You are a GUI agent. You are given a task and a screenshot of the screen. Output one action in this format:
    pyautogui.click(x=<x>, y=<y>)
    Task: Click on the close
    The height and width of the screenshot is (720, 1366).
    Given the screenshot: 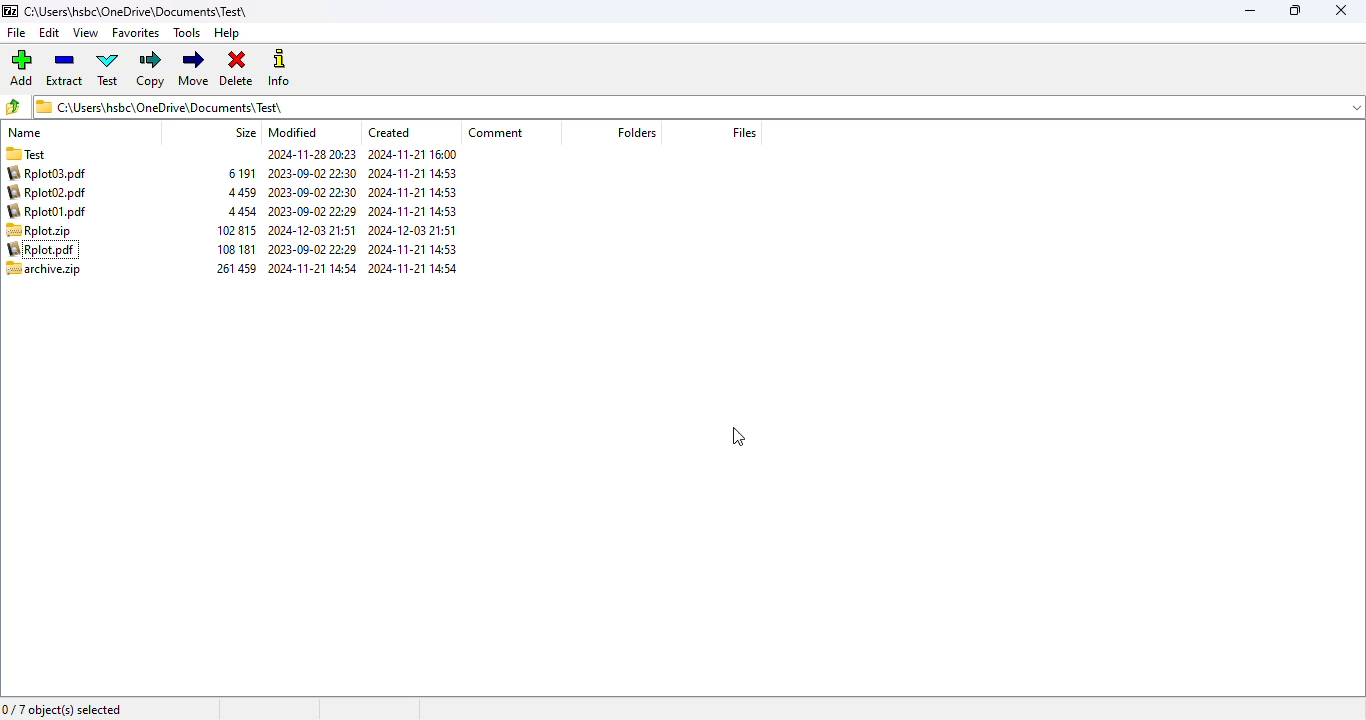 What is the action you would take?
    pyautogui.click(x=1343, y=11)
    